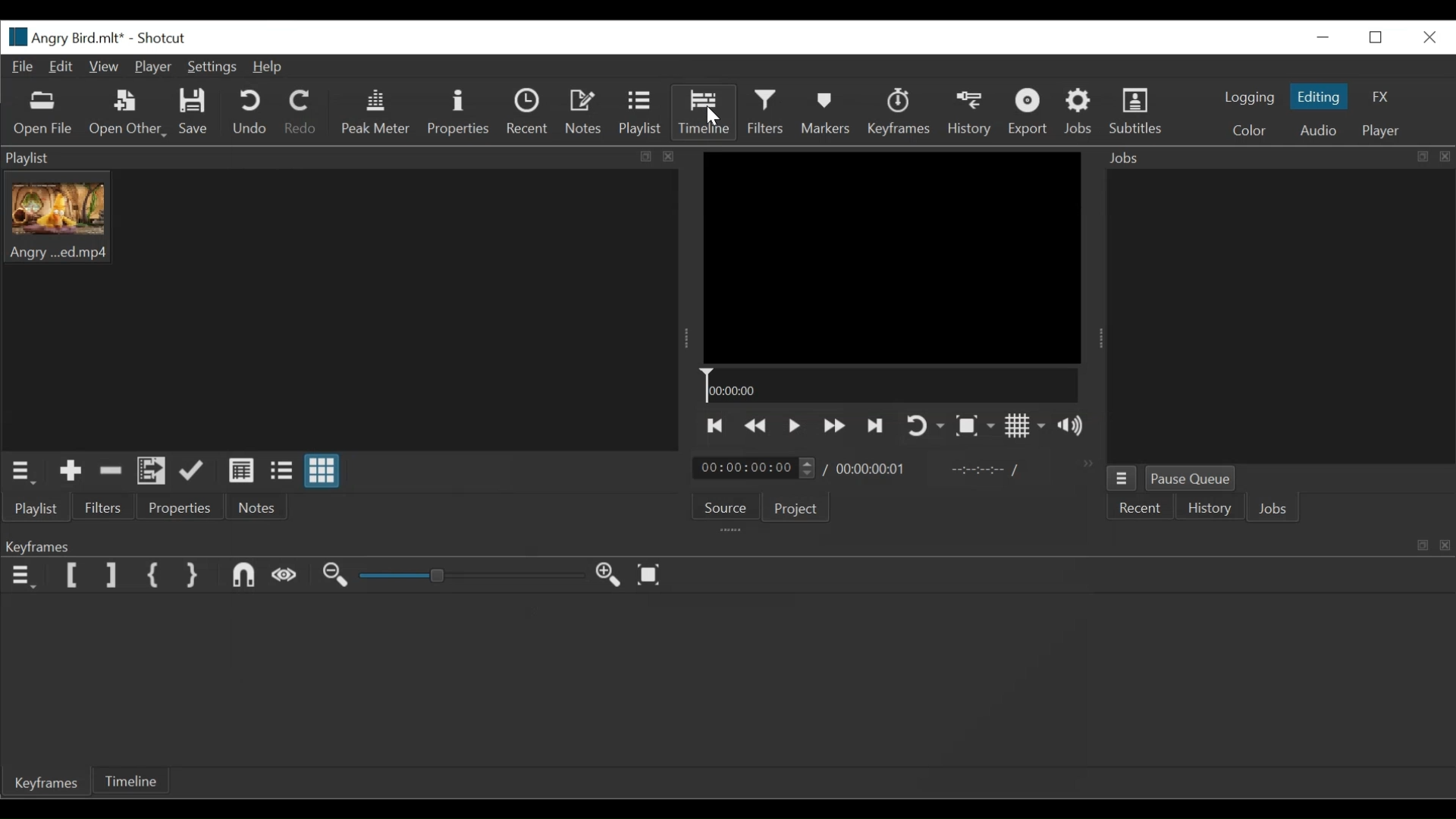 This screenshot has height=819, width=1456. I want to click on Add the Source to the playlist, so click(71, 470).